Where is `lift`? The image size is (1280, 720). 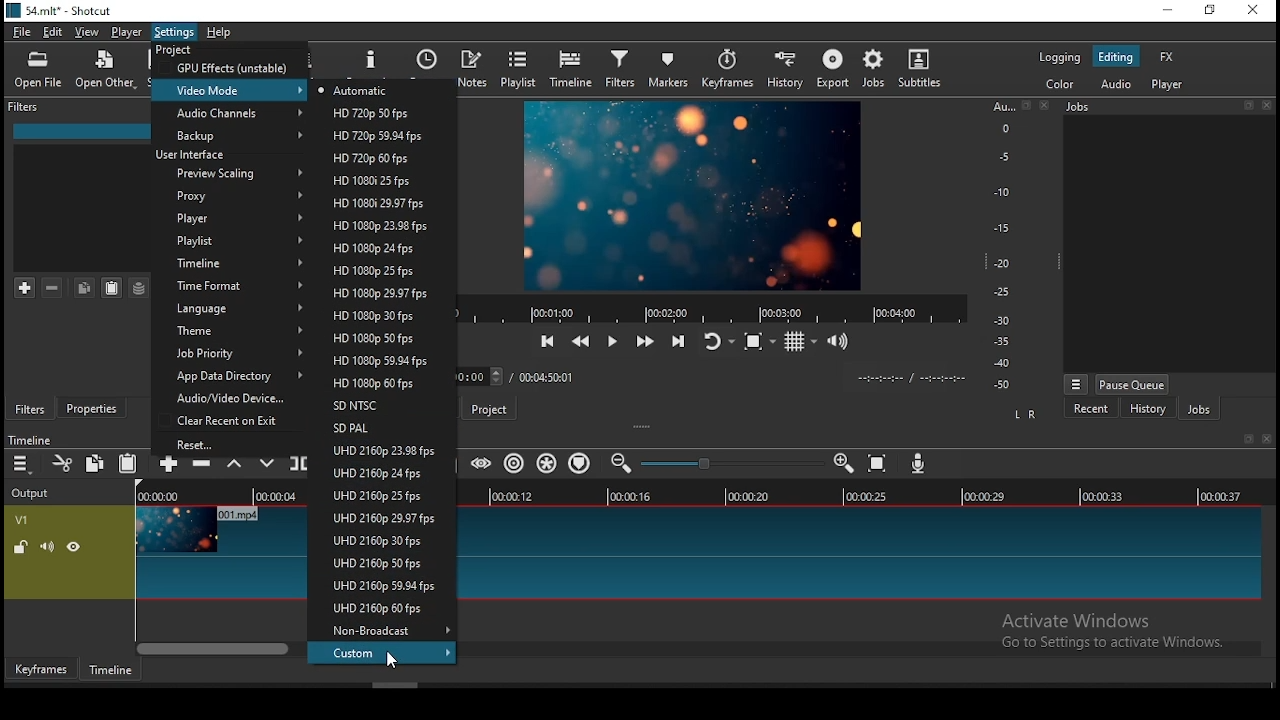
lift is located at coordinates (234, 468).